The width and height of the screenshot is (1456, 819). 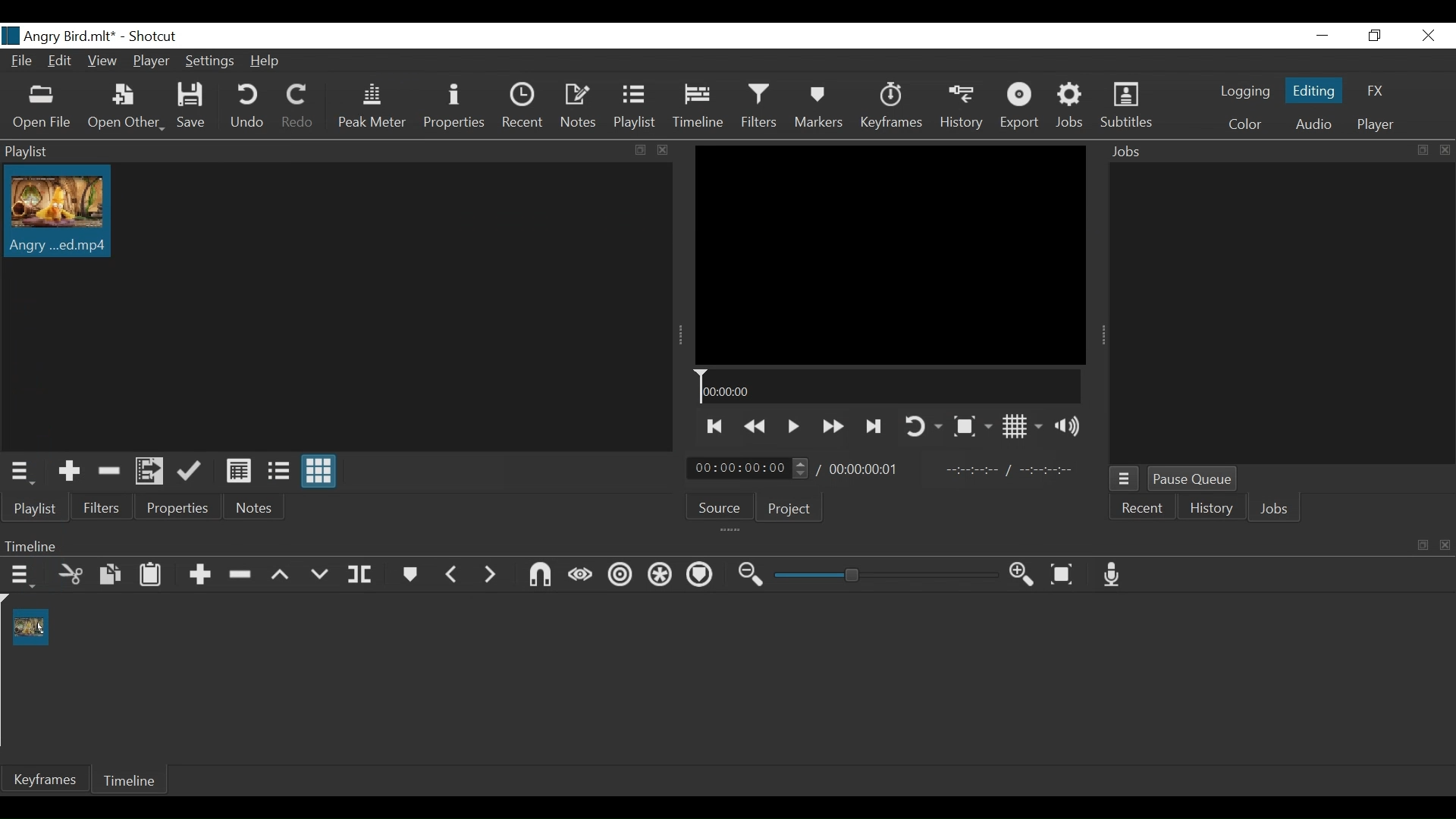 What do you see at coordinates (1072, 107) in the screenshot?
I see `Jobs` at bounding box center [1072, 107].